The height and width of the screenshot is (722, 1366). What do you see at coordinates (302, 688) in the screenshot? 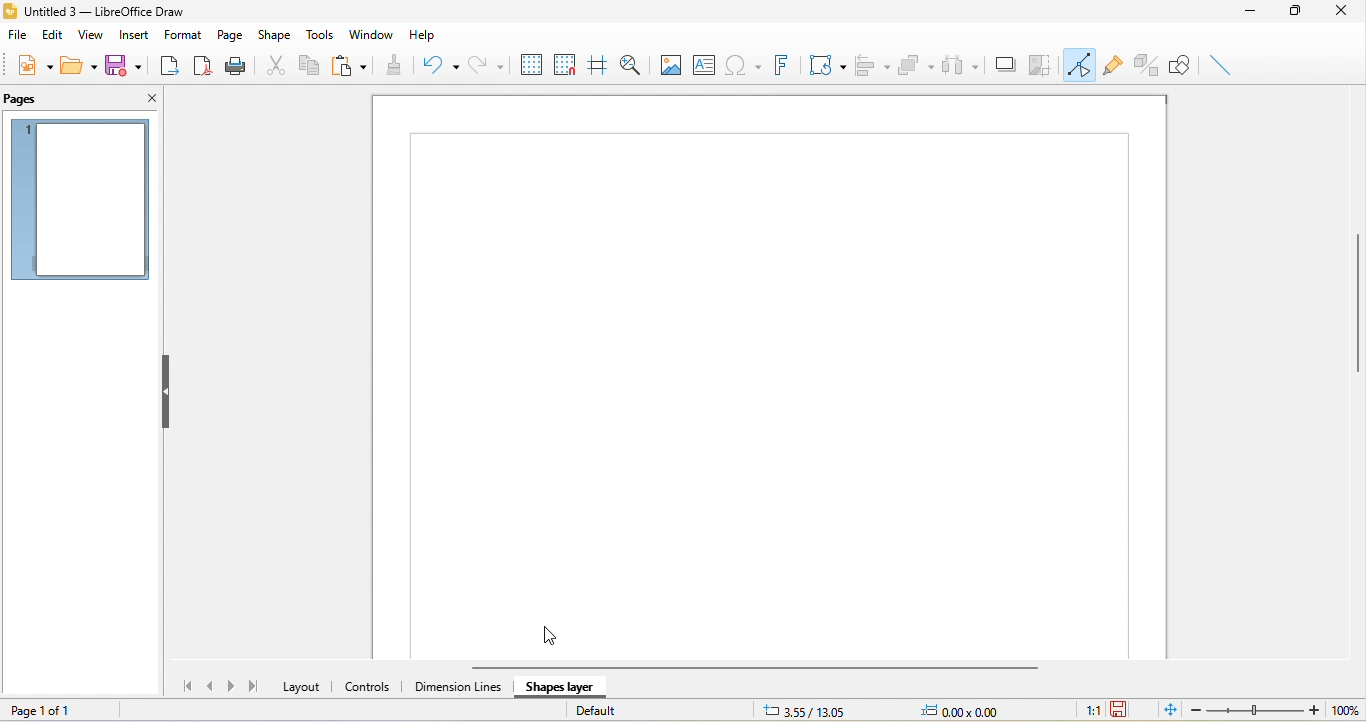
I see `layout` at bounding box center [302, 688].